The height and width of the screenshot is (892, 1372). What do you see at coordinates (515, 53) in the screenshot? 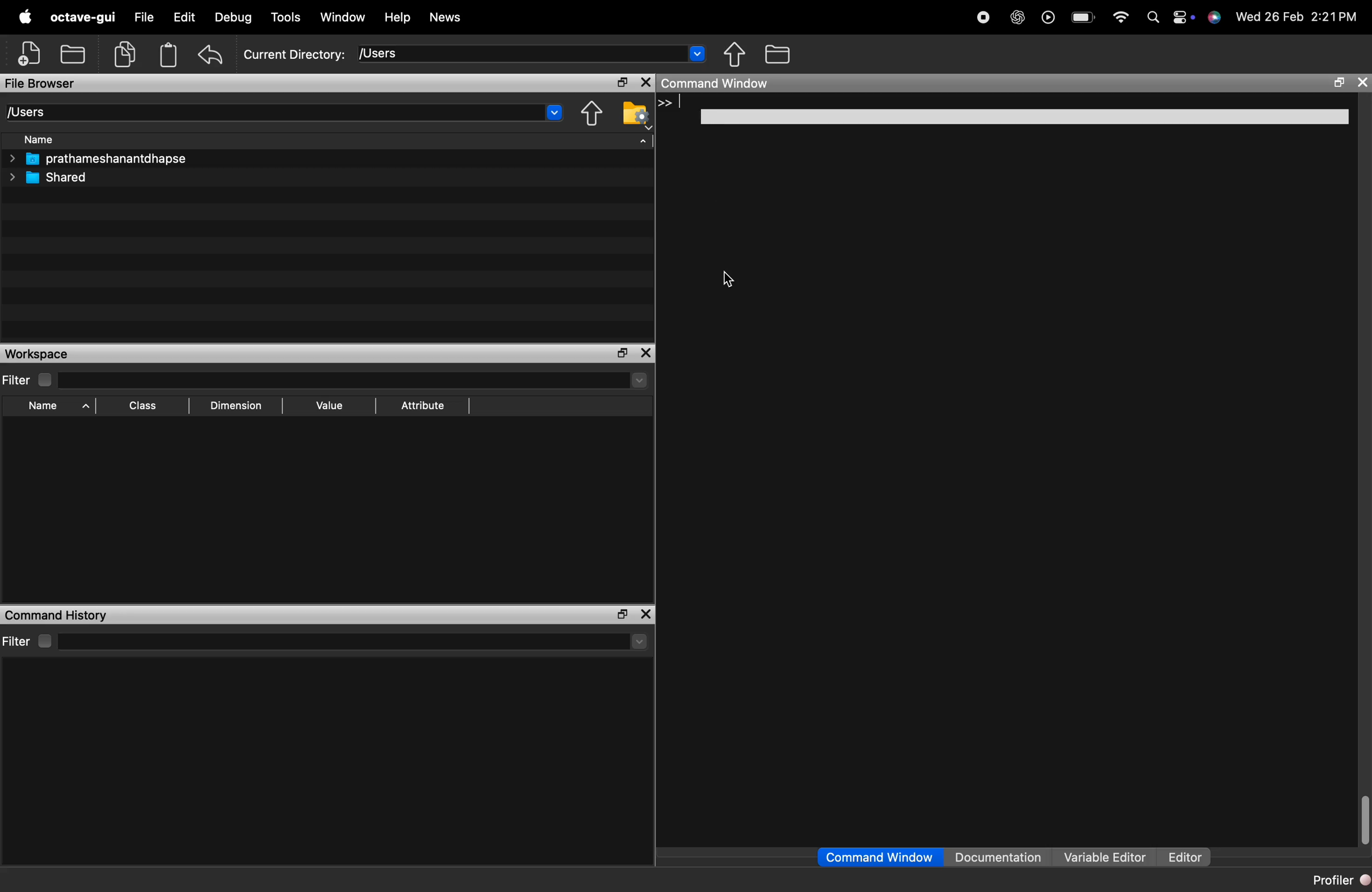
I see `enter directory name` at bounding box center [515, 53].